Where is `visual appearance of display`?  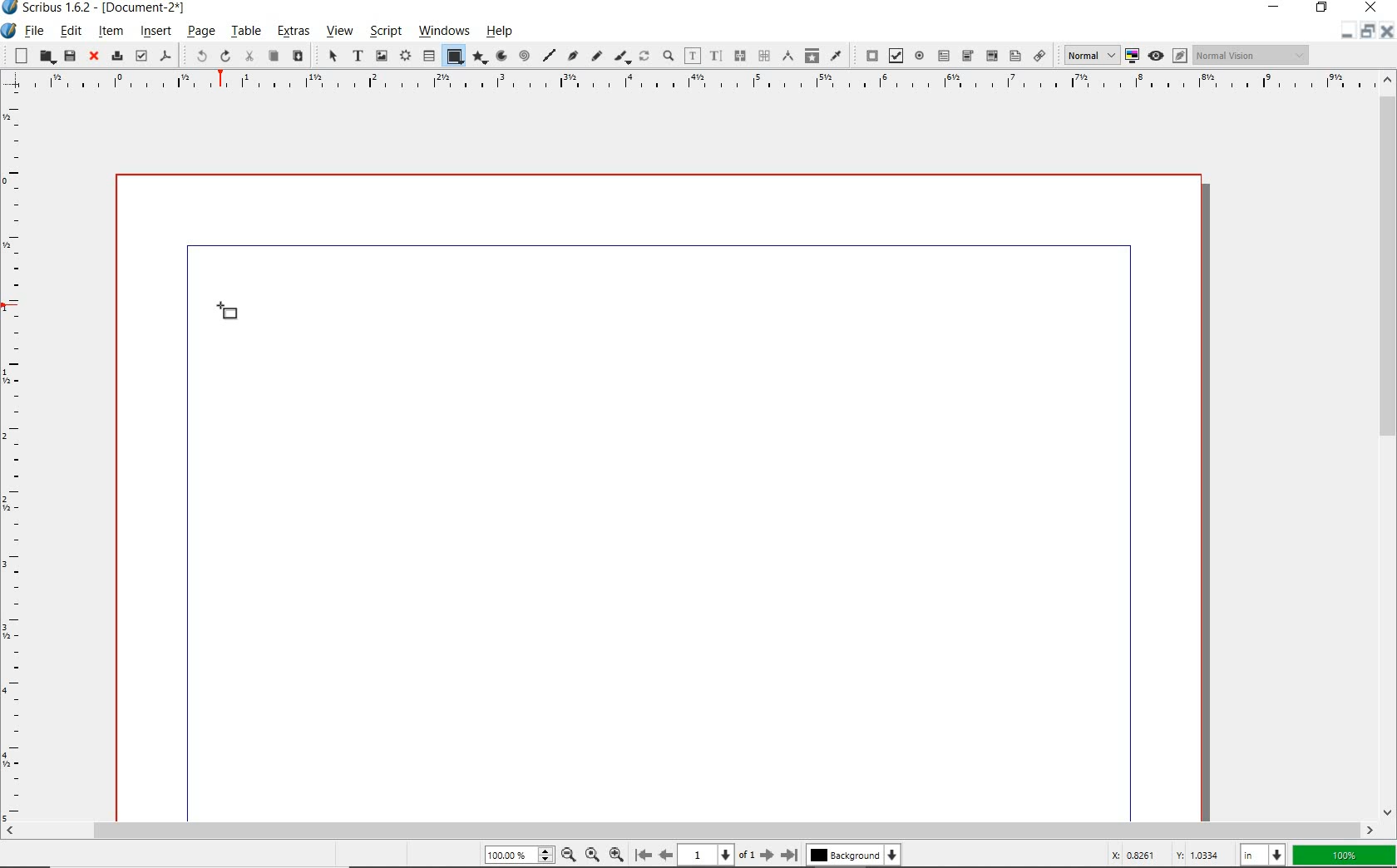 visual appearance of display is located at coordinates (1254, 54).